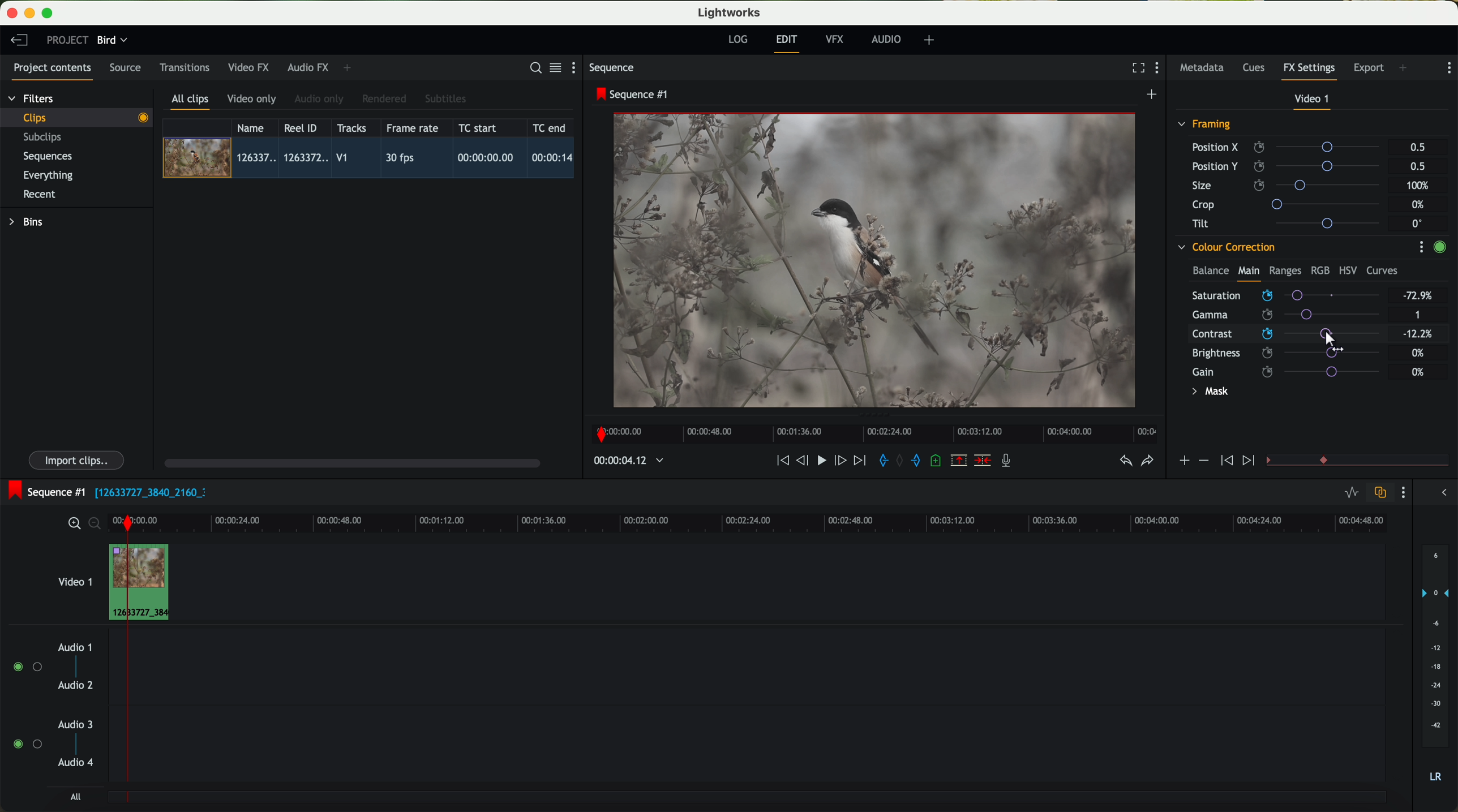  What do you see at coordinates (75, 647) in the screenshot?
I see `audio 1` at bounding box center [75, 647].